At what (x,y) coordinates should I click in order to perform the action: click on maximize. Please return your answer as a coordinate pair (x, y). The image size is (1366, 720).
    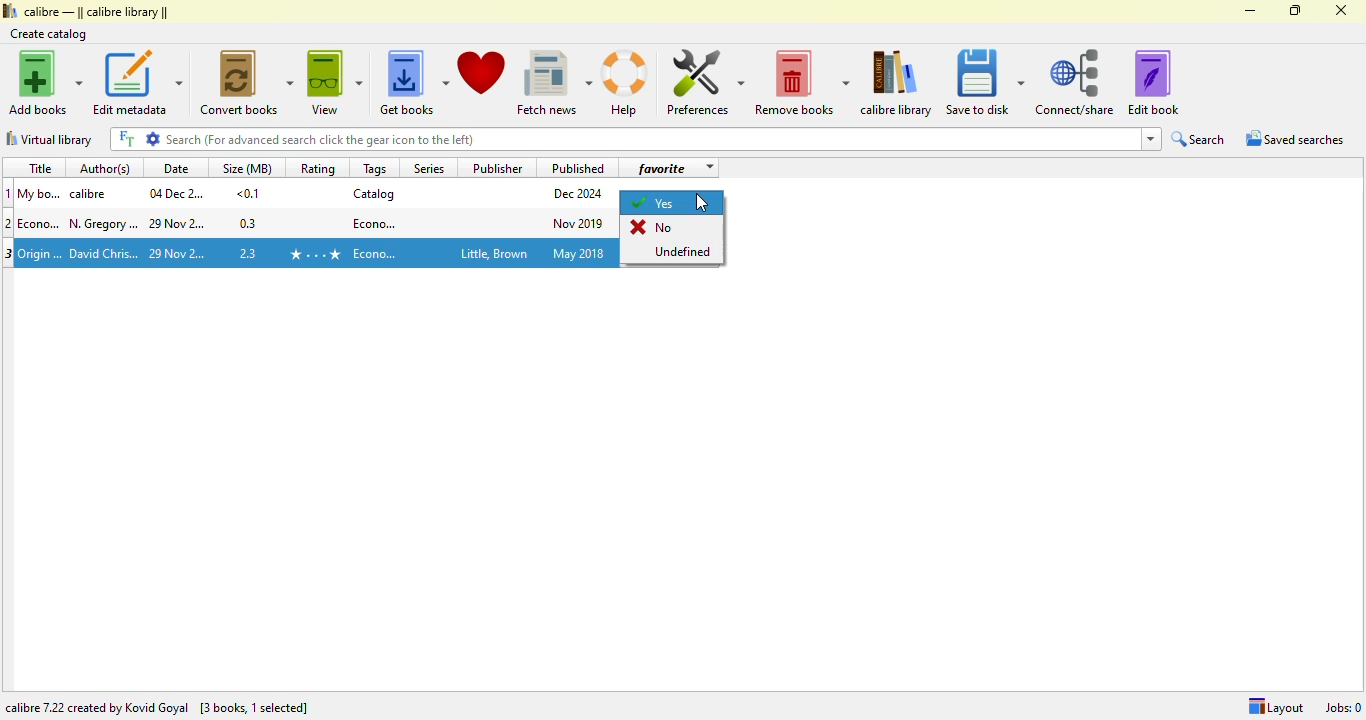
    Looking at the image, I should click on (1296, 10).